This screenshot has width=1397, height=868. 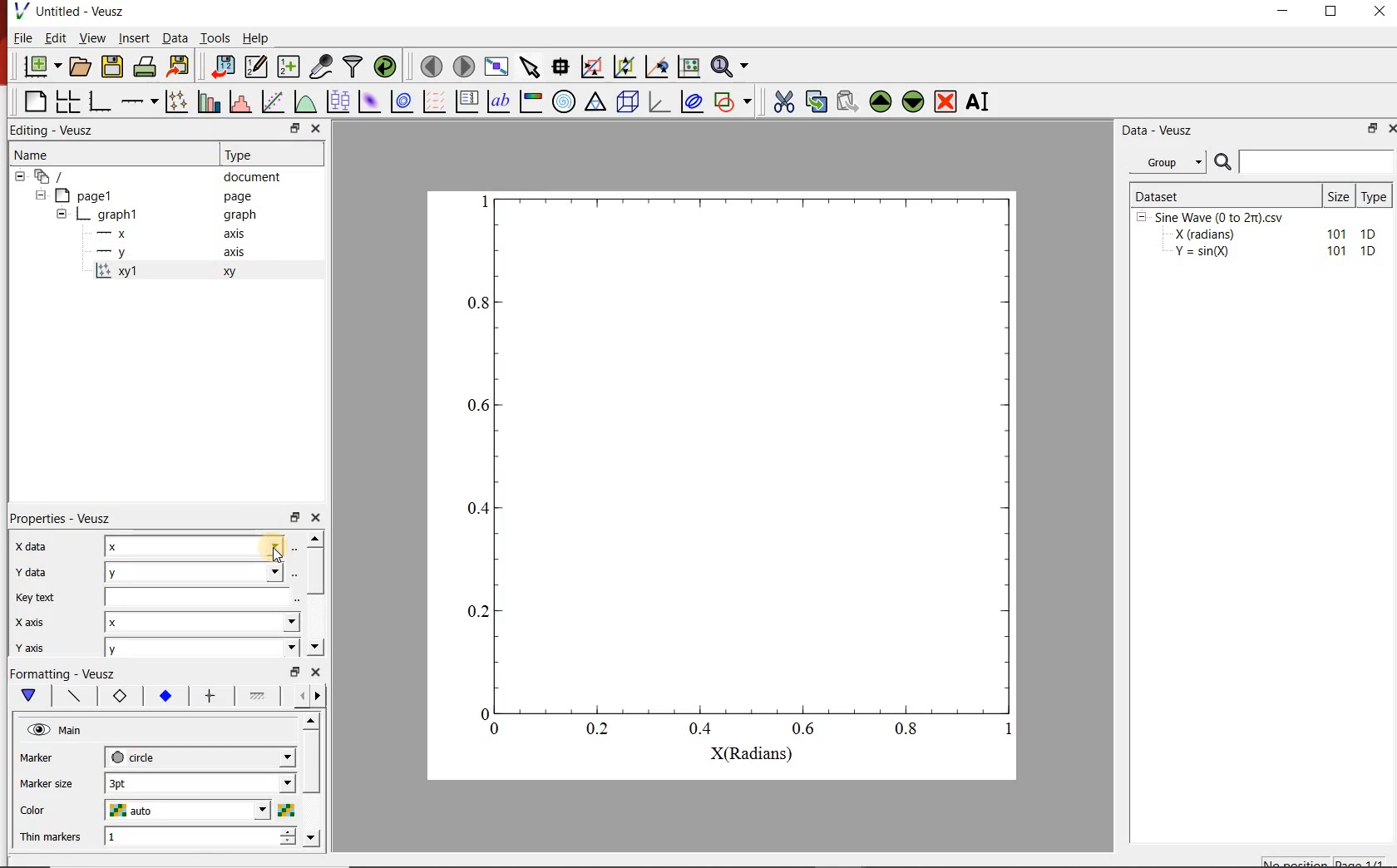 I want to click on go to next page, so click(x=464, y=65).